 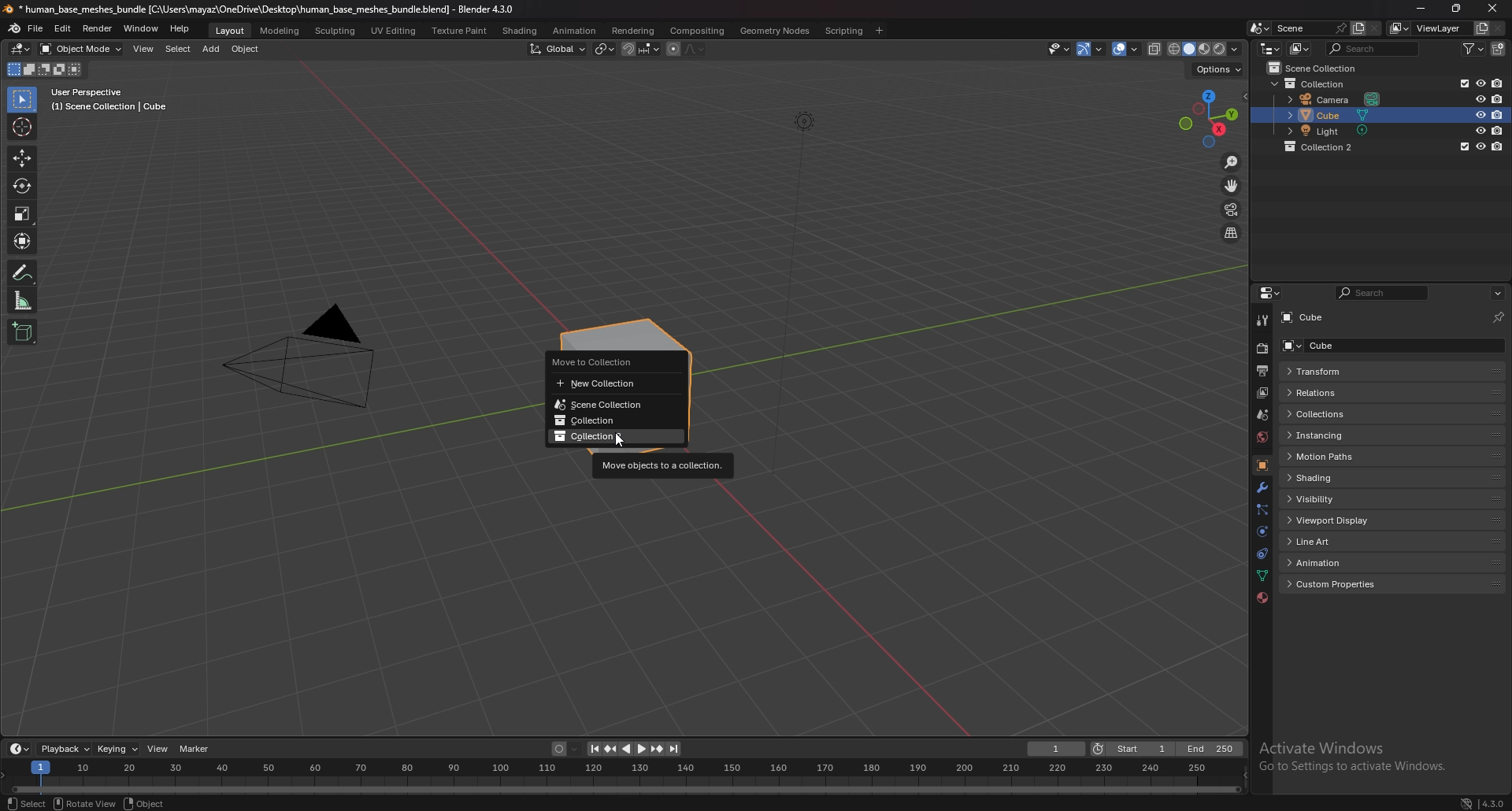 I want to click on render, so click(x=98, y=28).